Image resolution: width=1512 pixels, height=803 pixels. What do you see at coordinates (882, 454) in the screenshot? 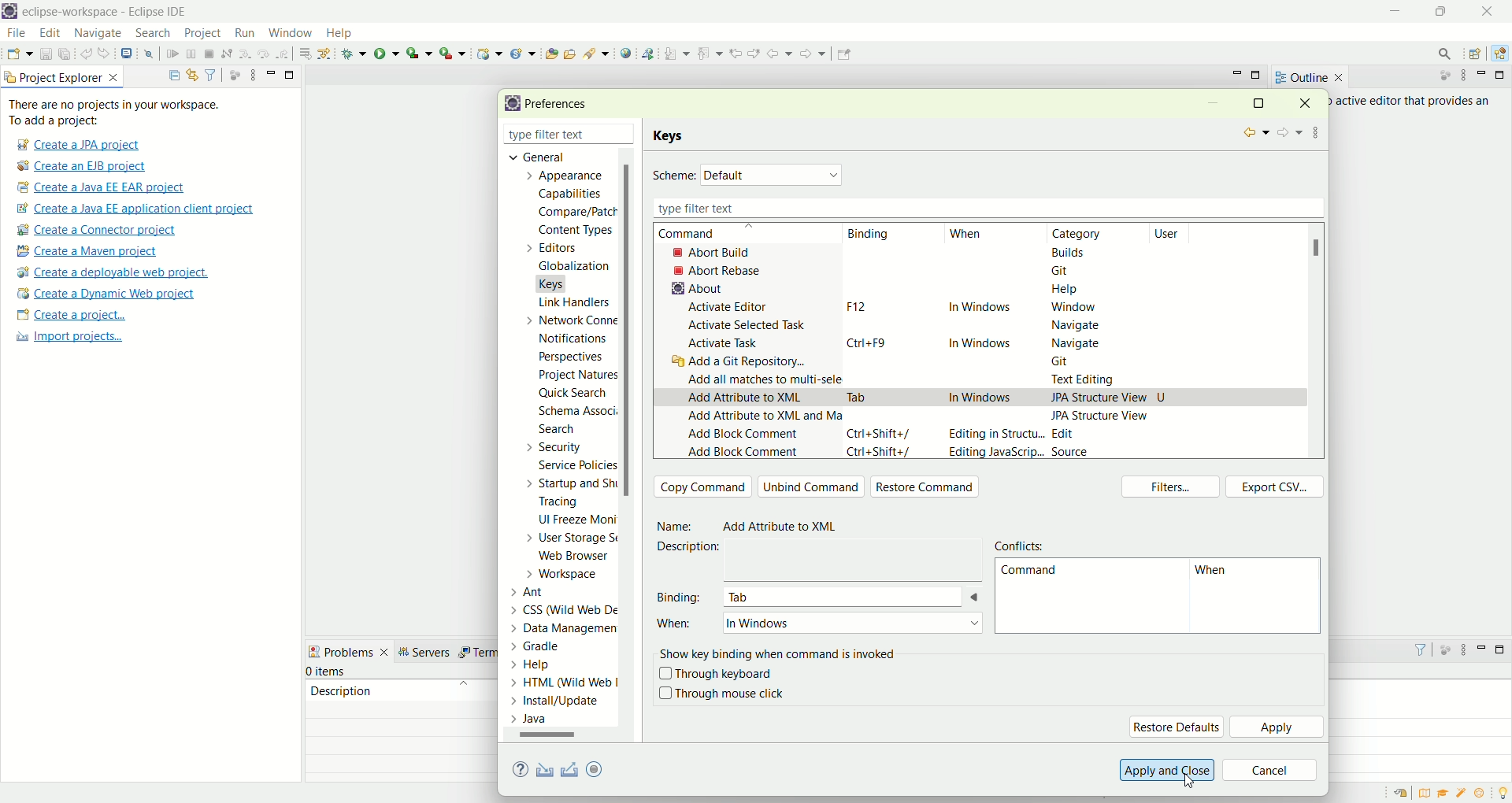
I see `ctrl+shift+/` at bounding box center [882, 454].